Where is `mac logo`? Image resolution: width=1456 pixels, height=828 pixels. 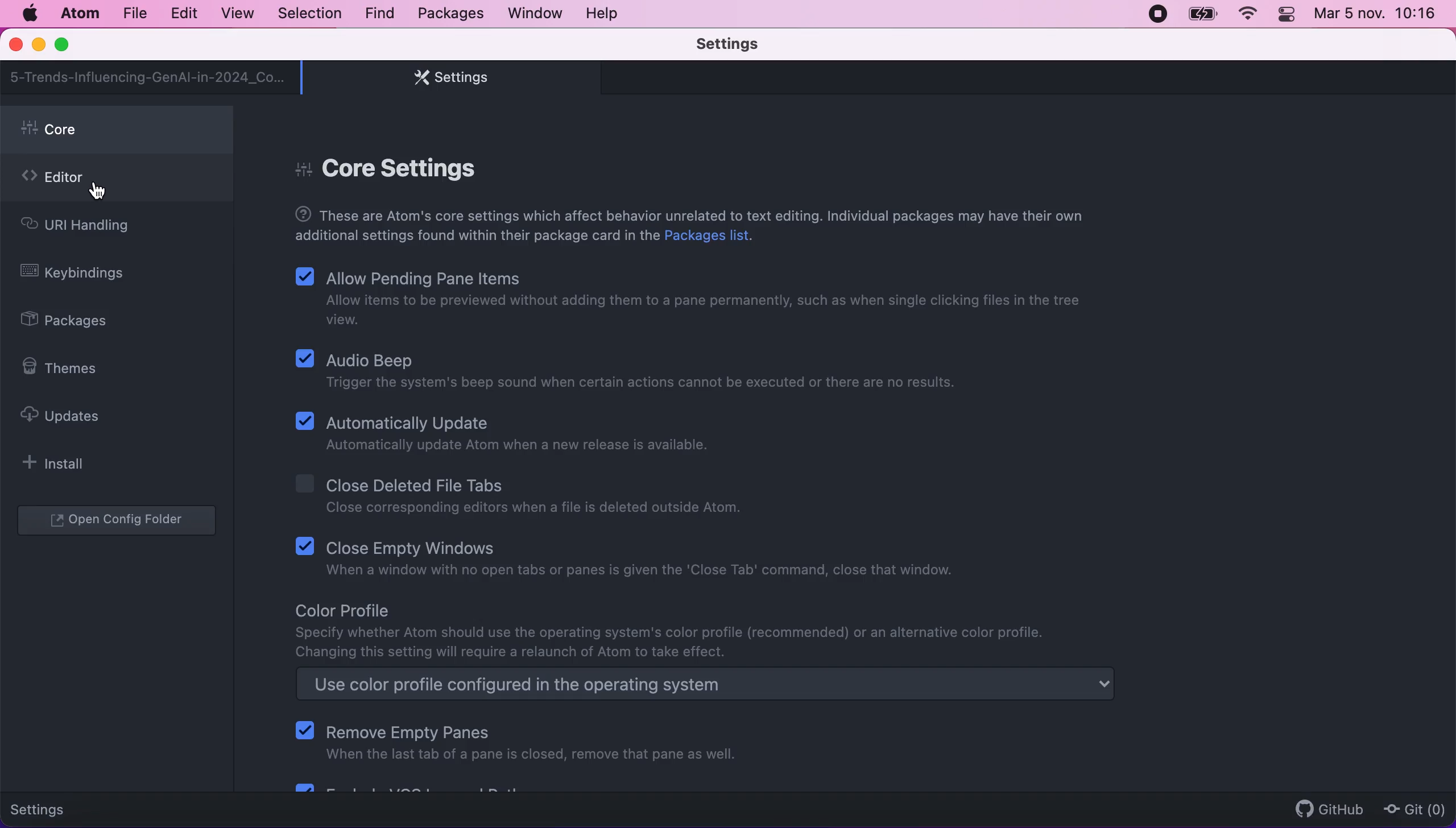
mac logo is located at coordinates (29, 14).